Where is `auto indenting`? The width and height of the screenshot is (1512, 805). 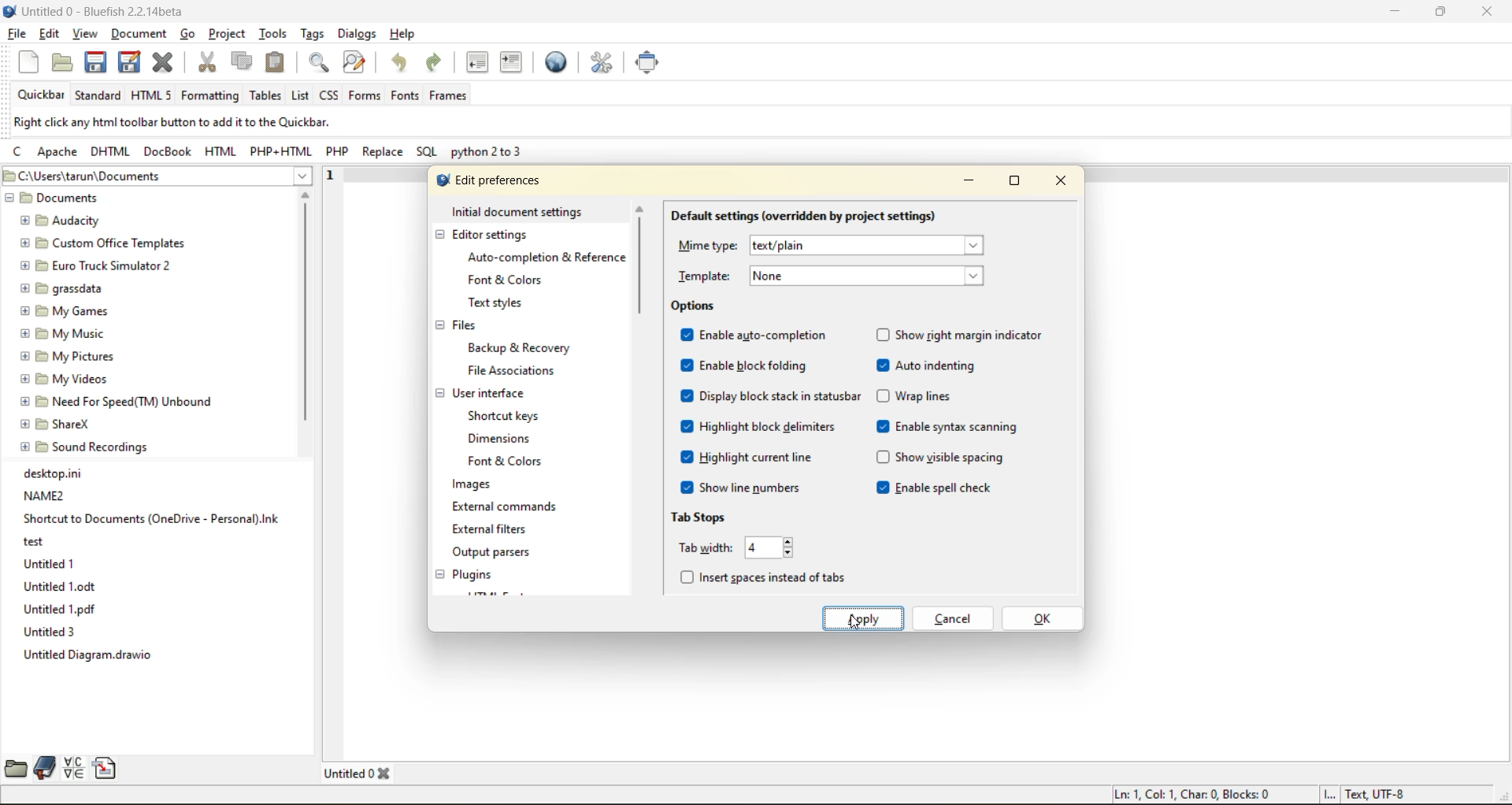
auto indenting is located at coordinates (928, 366).